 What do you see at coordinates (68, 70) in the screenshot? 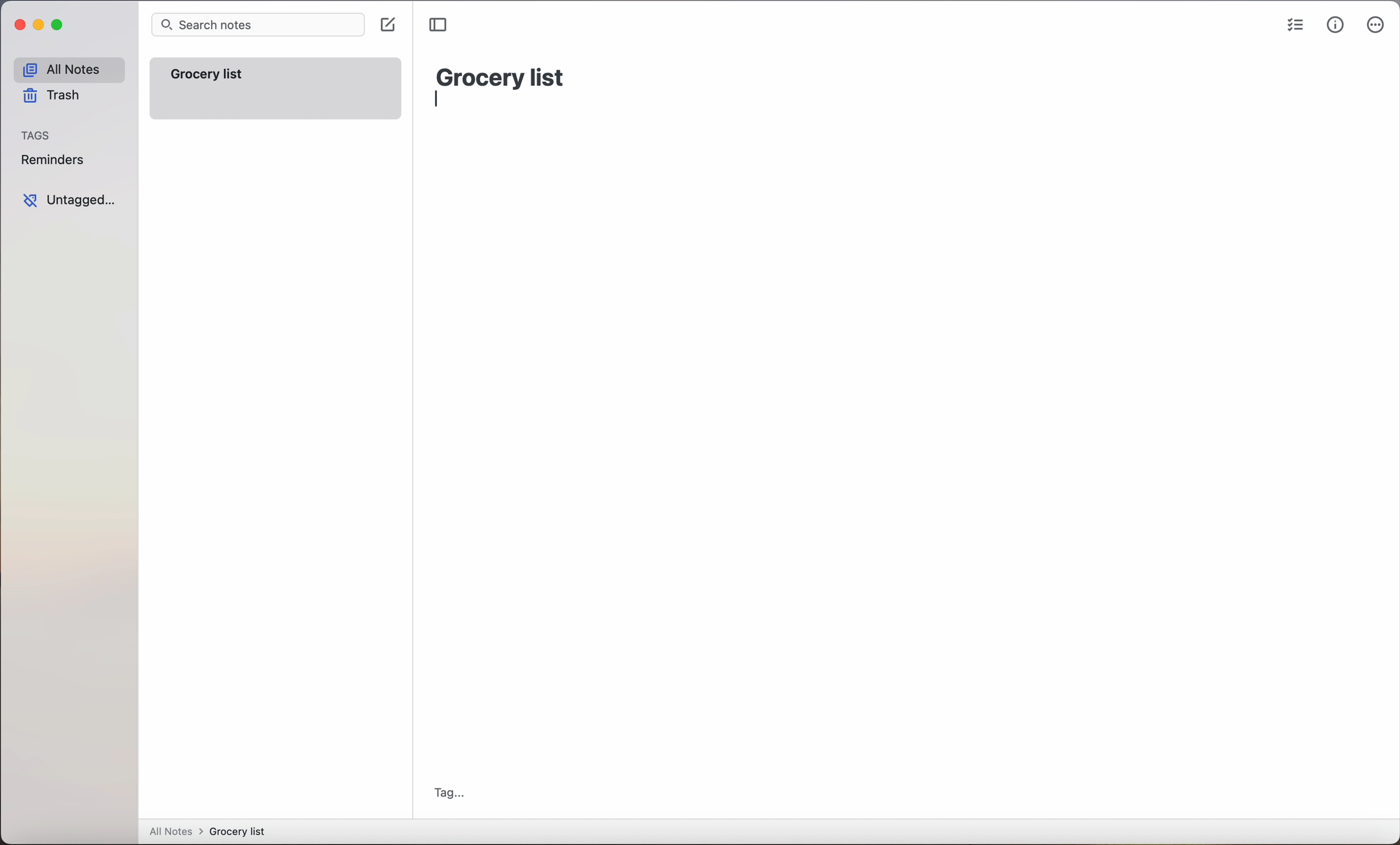
I see `all notes` at bounding box center [68, 70].